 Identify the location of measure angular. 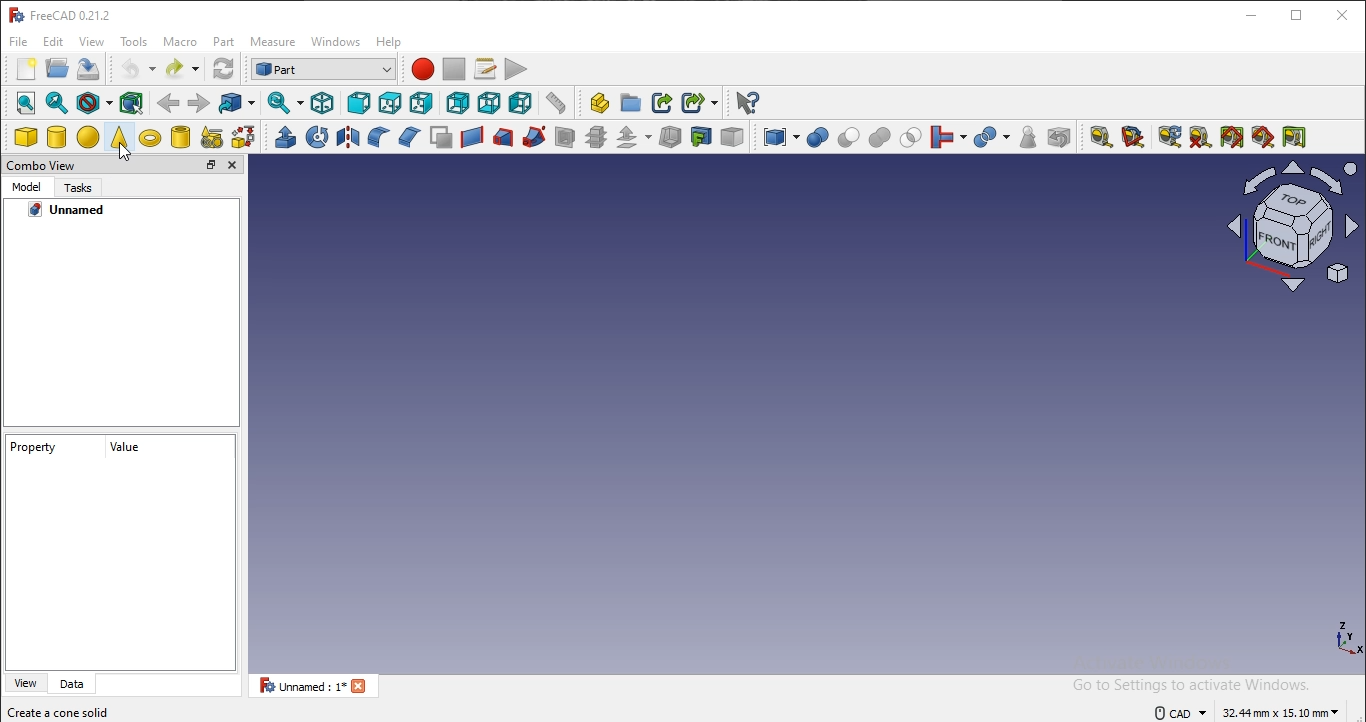
(1135, 135).